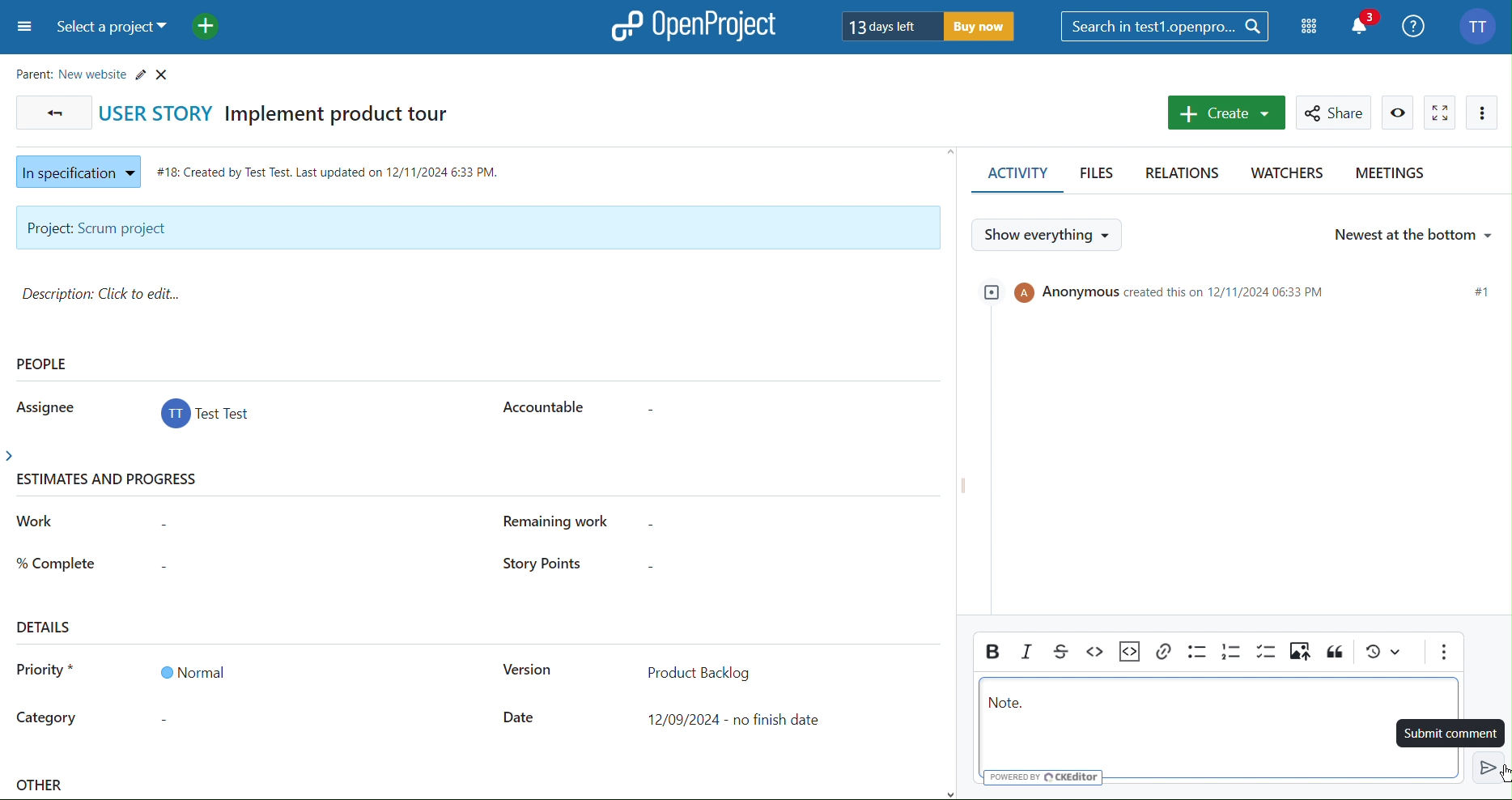  I want to click on Normal, so click(192, 672).